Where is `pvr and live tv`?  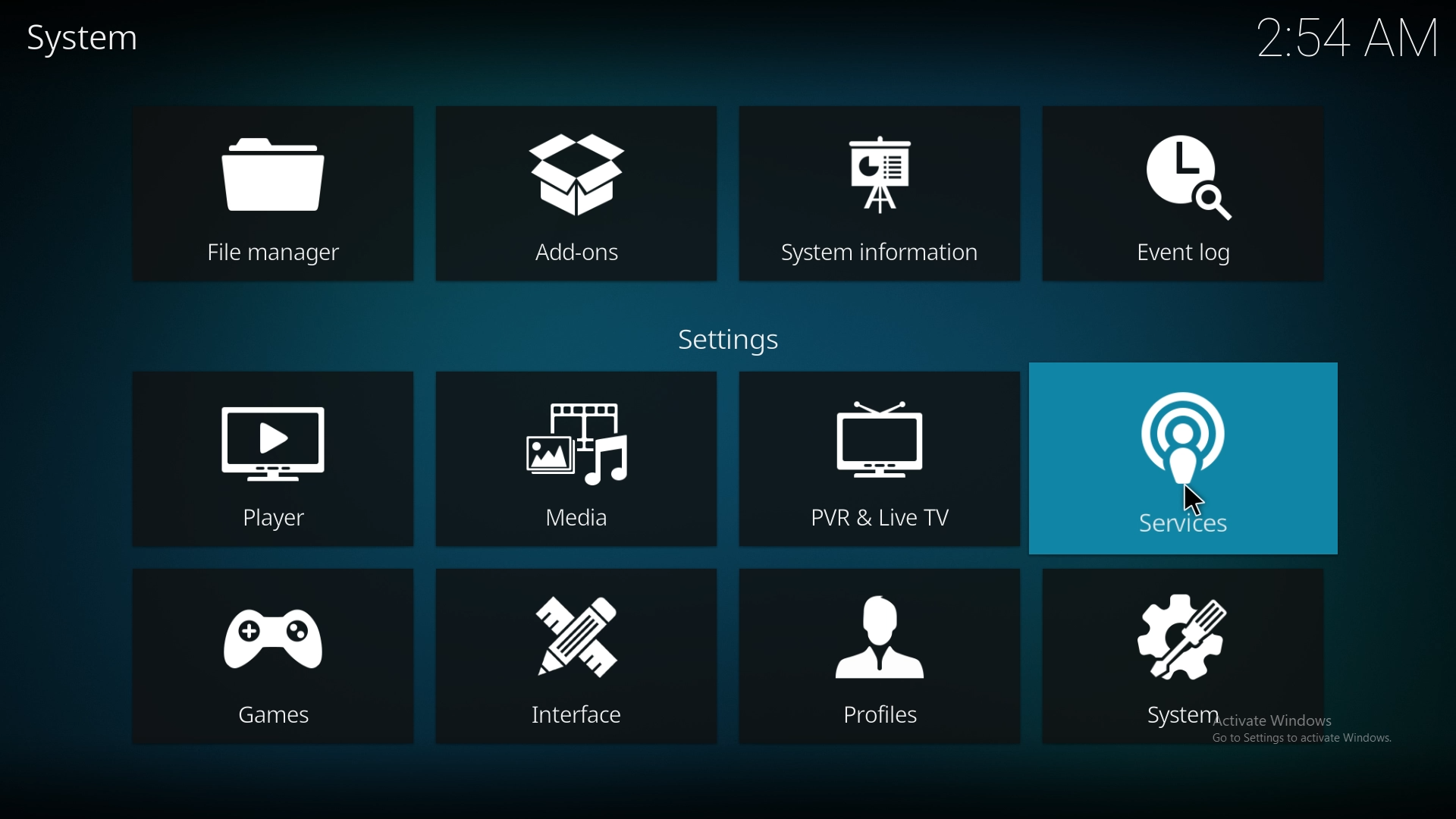
pvr and live tv is located at coordinates (879, 457).